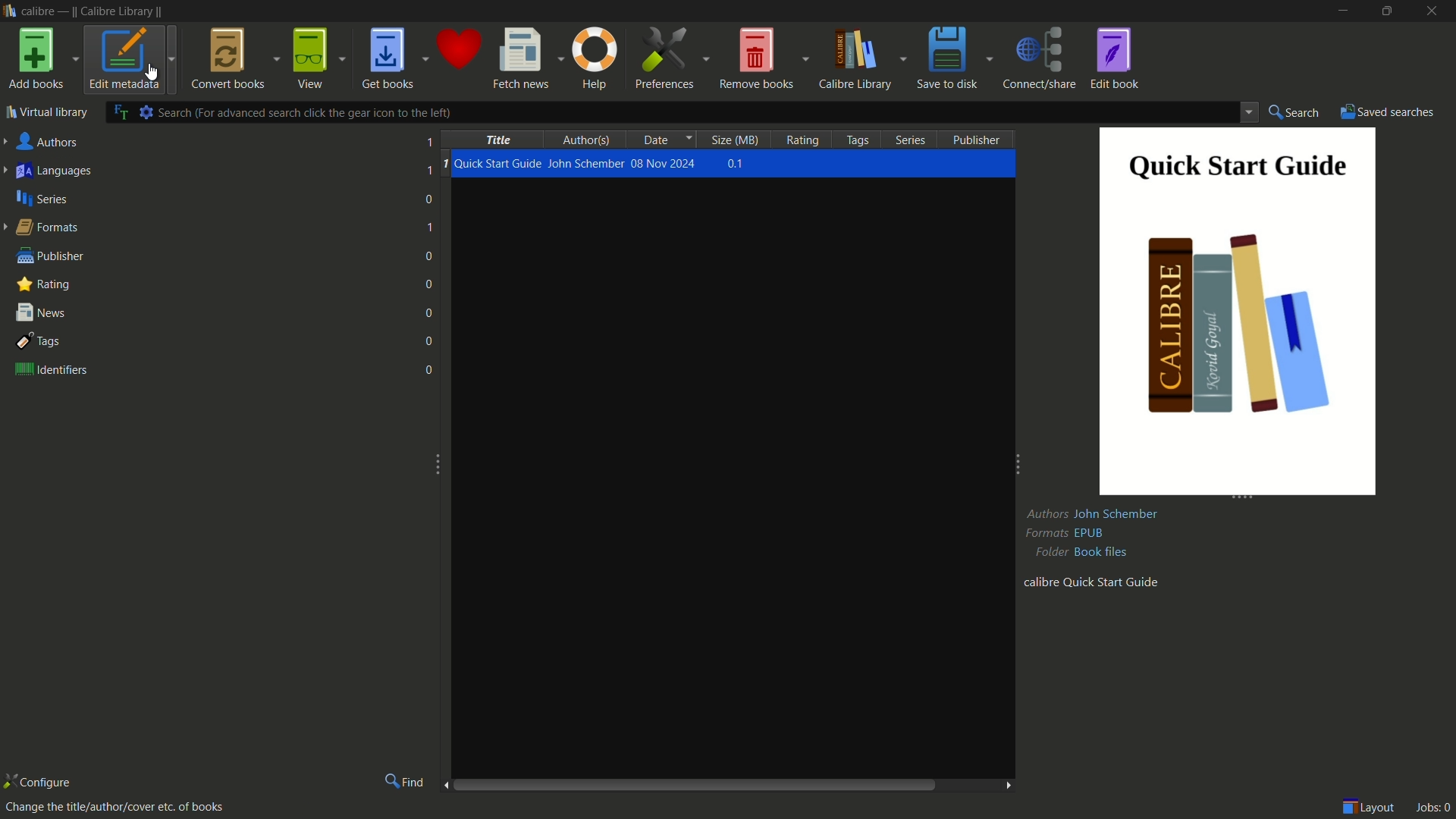 This screenshot has height=819, width=1456. Describe the element at coordinates (585, 139) in the screenshot. I see `authors` at that location.